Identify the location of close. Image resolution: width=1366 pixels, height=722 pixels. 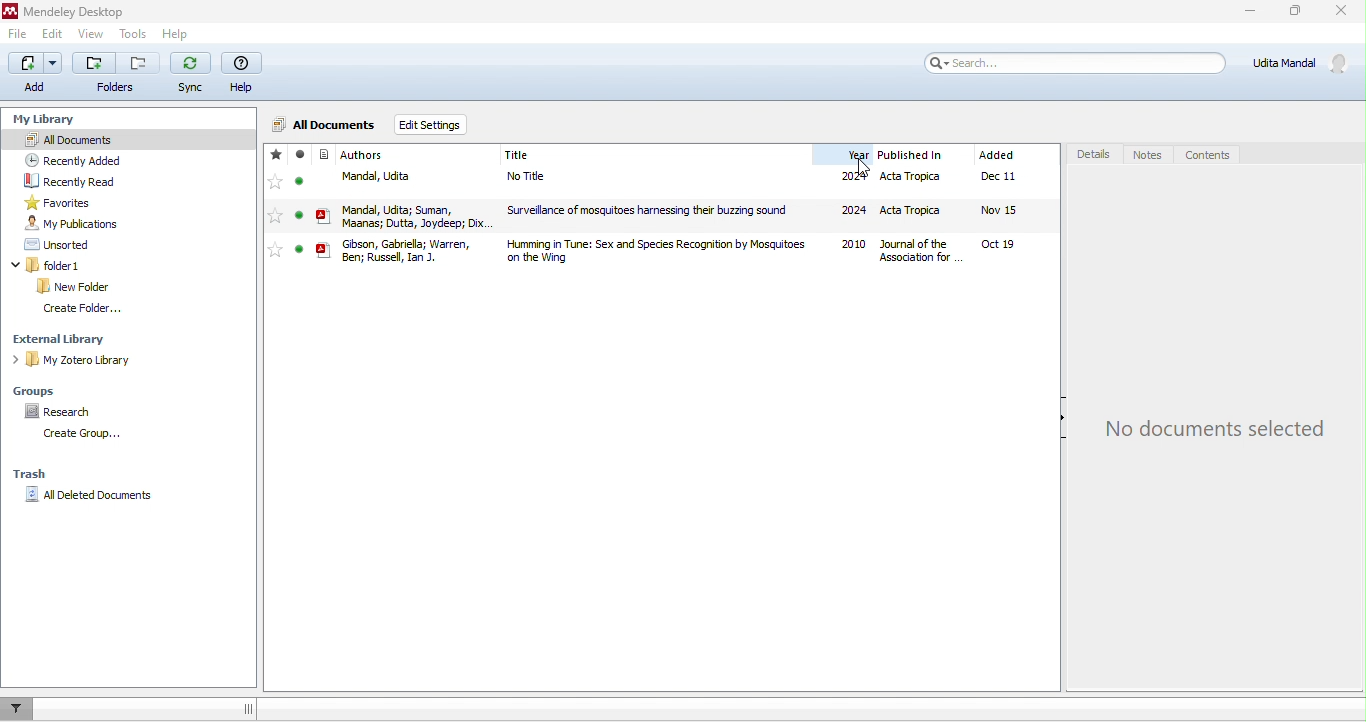
(1344, 14).